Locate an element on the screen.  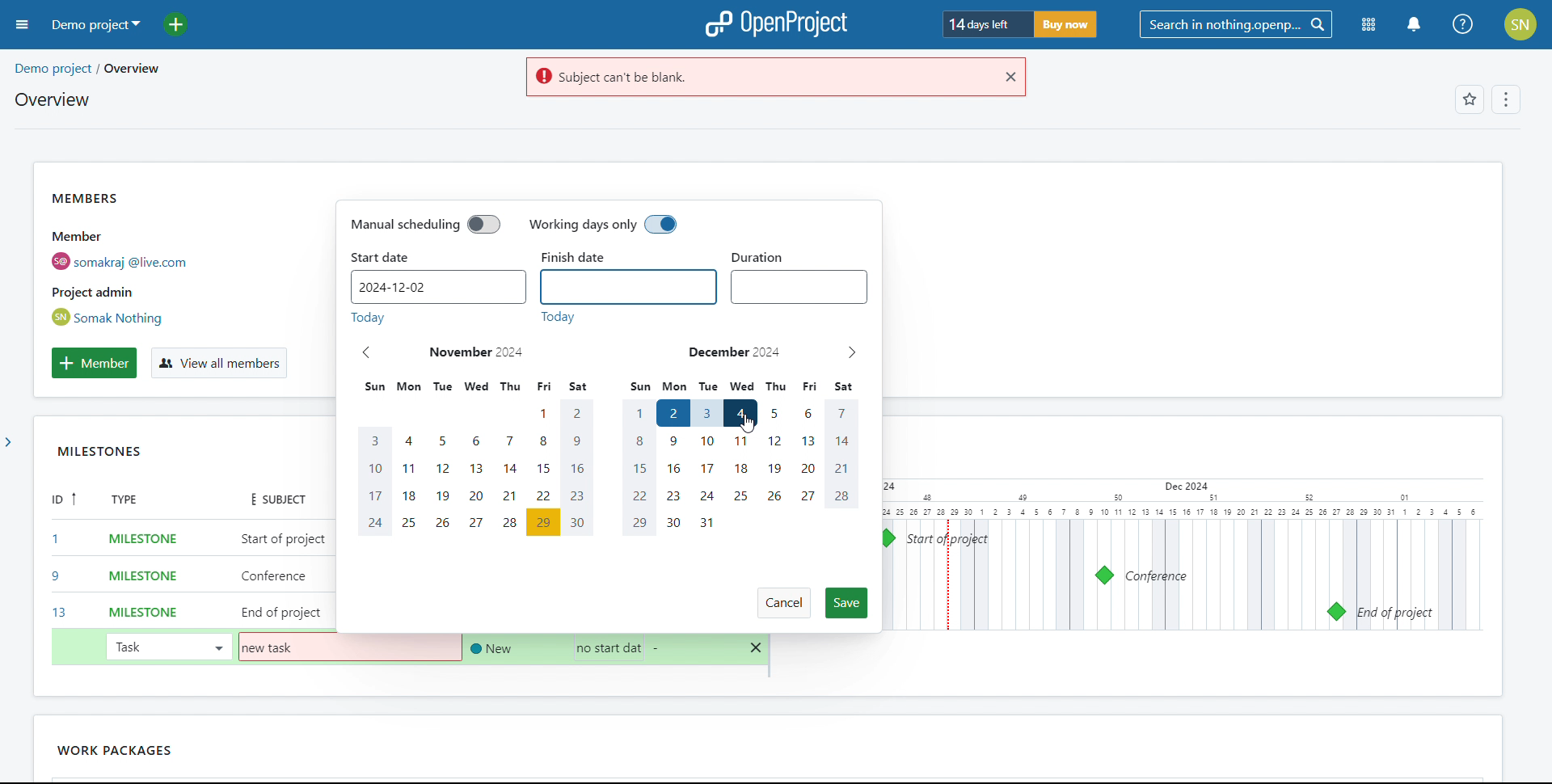
start date selected is located at coordinates (673, 413).